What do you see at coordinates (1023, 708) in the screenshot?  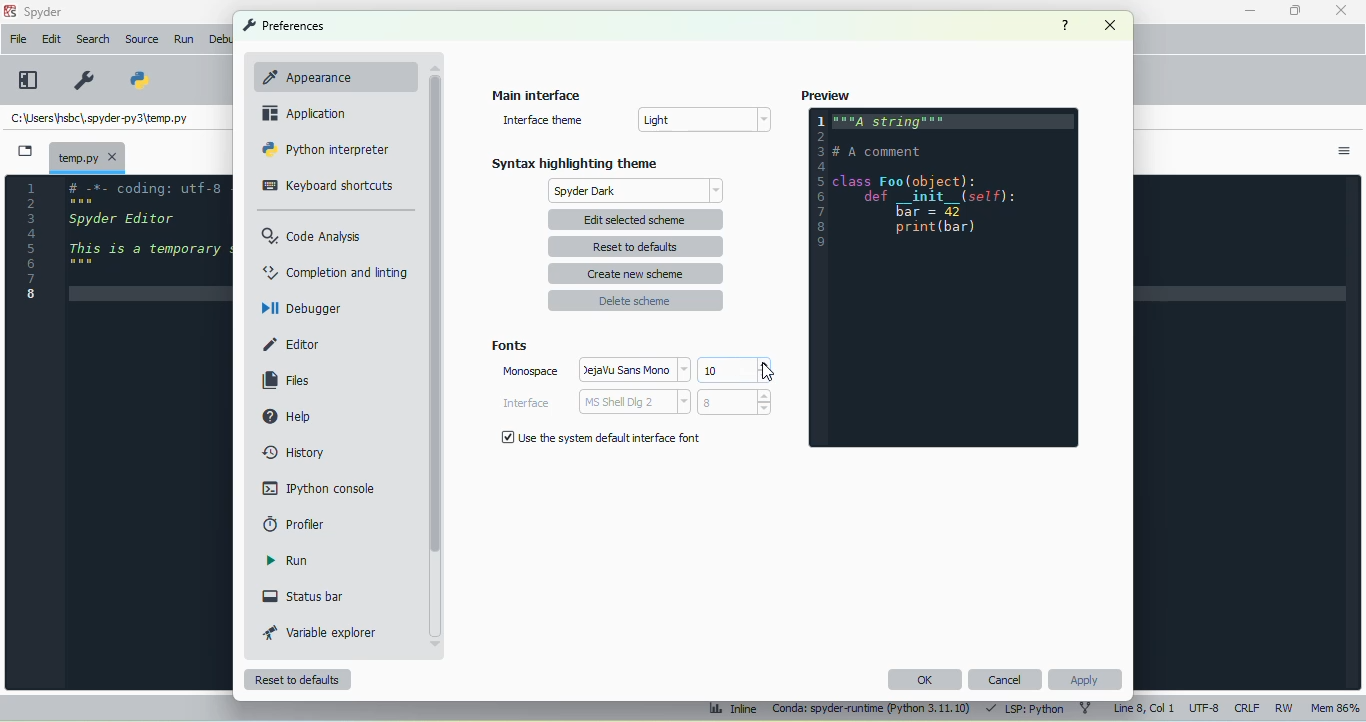 I see `LSP Python` at bounding box center [1023, 708].